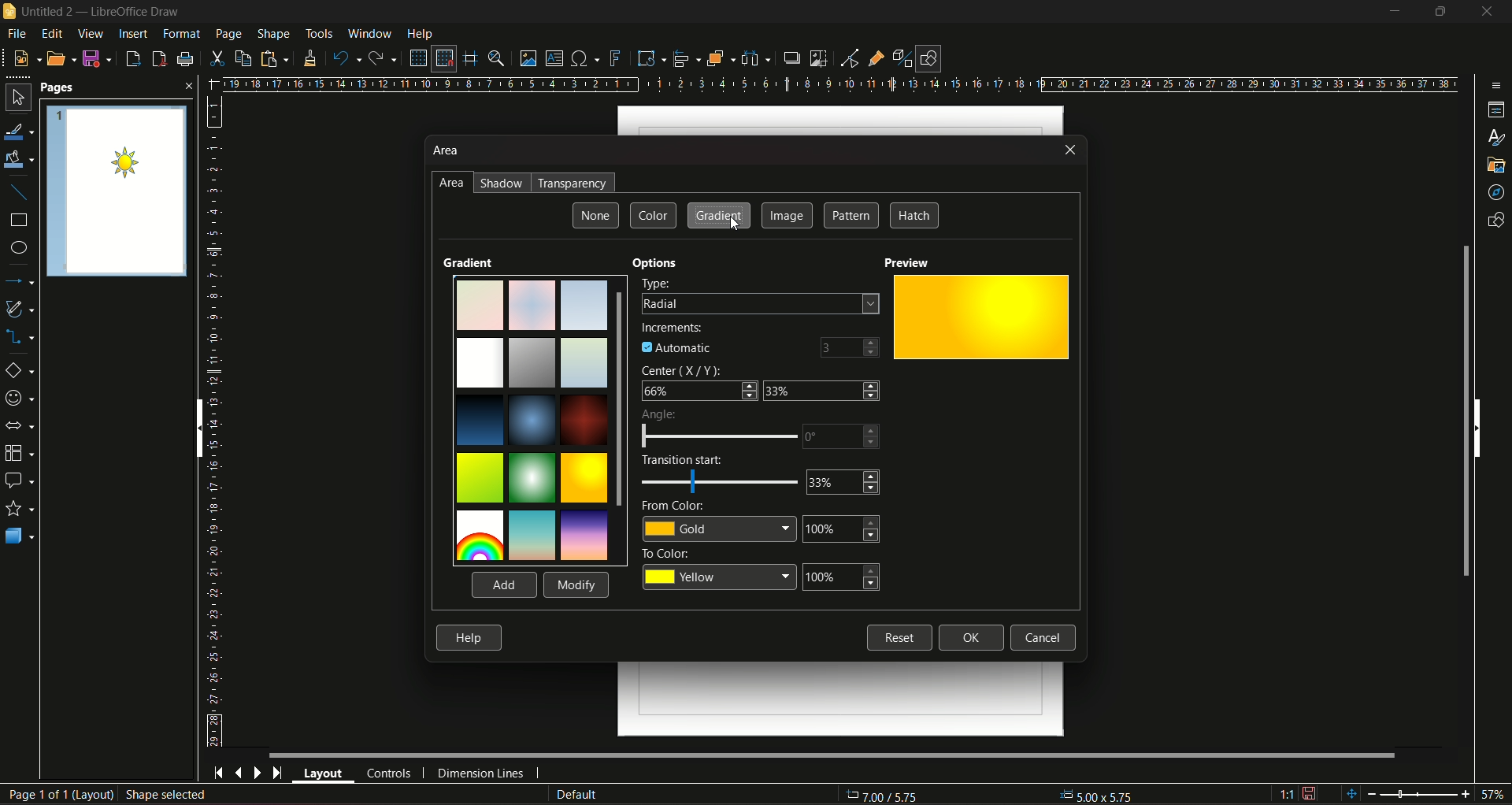 The image size is (1512, 805). Describe the element at coordinates (980, 317) in the screenshot. I see `preview pane` at that location.